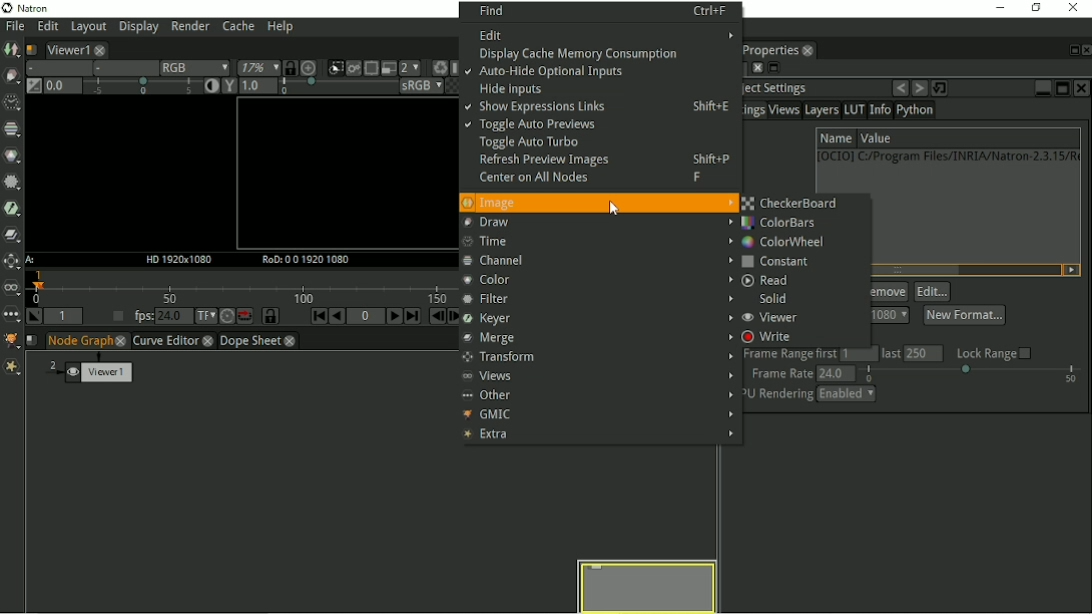 Image resolution: width=1092 pixels, height=614 pixels. What do you see at coordinates (335, 316) in the screenshot?
I see `Play backward` at bounding box center [335, 316].